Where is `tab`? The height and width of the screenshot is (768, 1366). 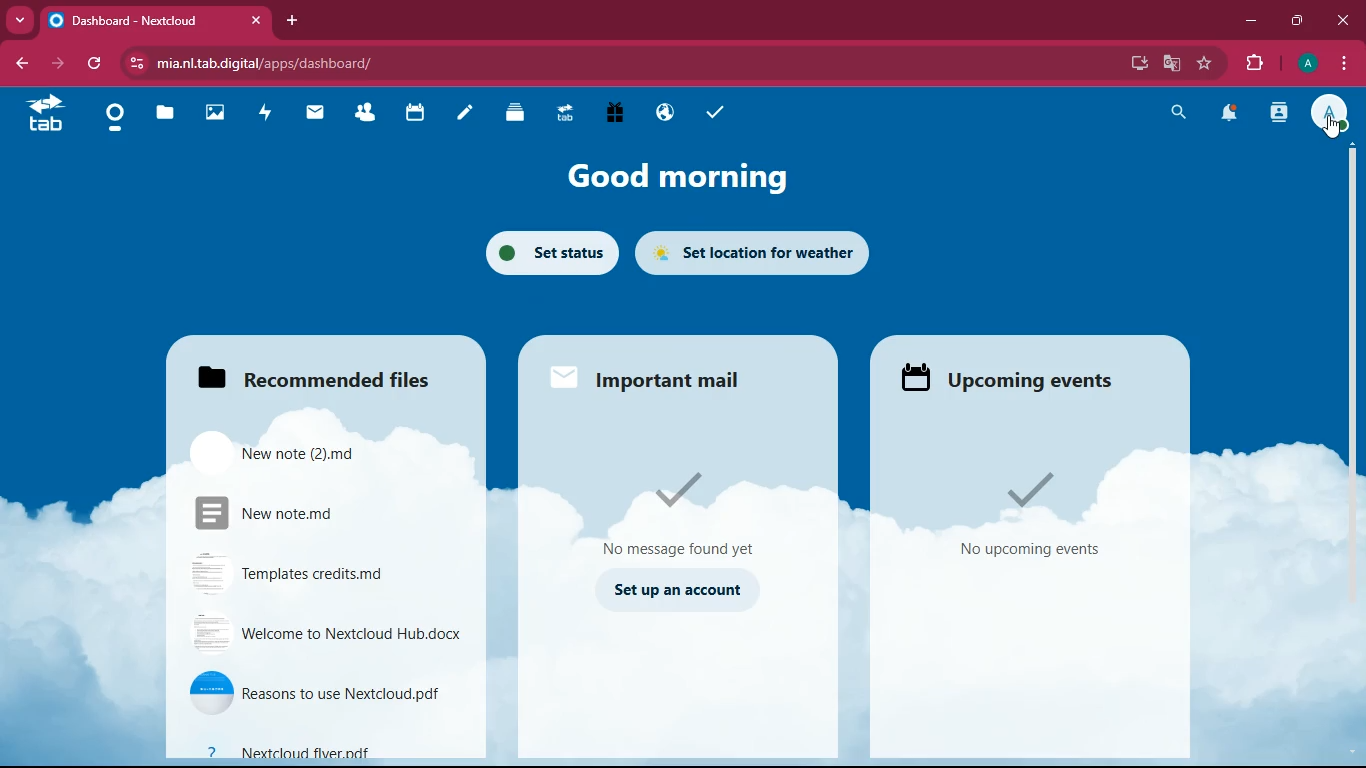
tab is located at coordinates (156, 20).